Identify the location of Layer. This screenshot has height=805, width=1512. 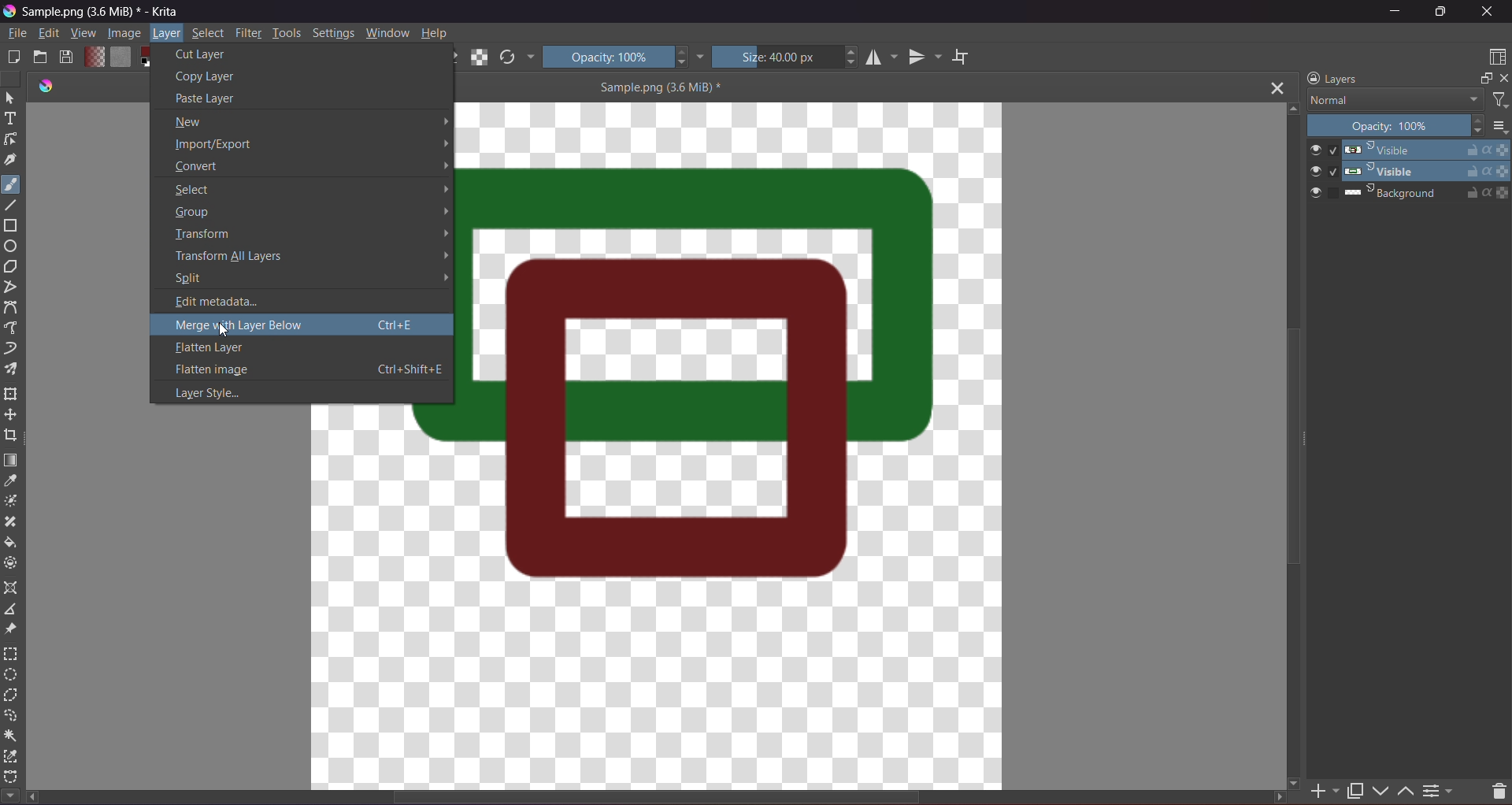
(167, 35).